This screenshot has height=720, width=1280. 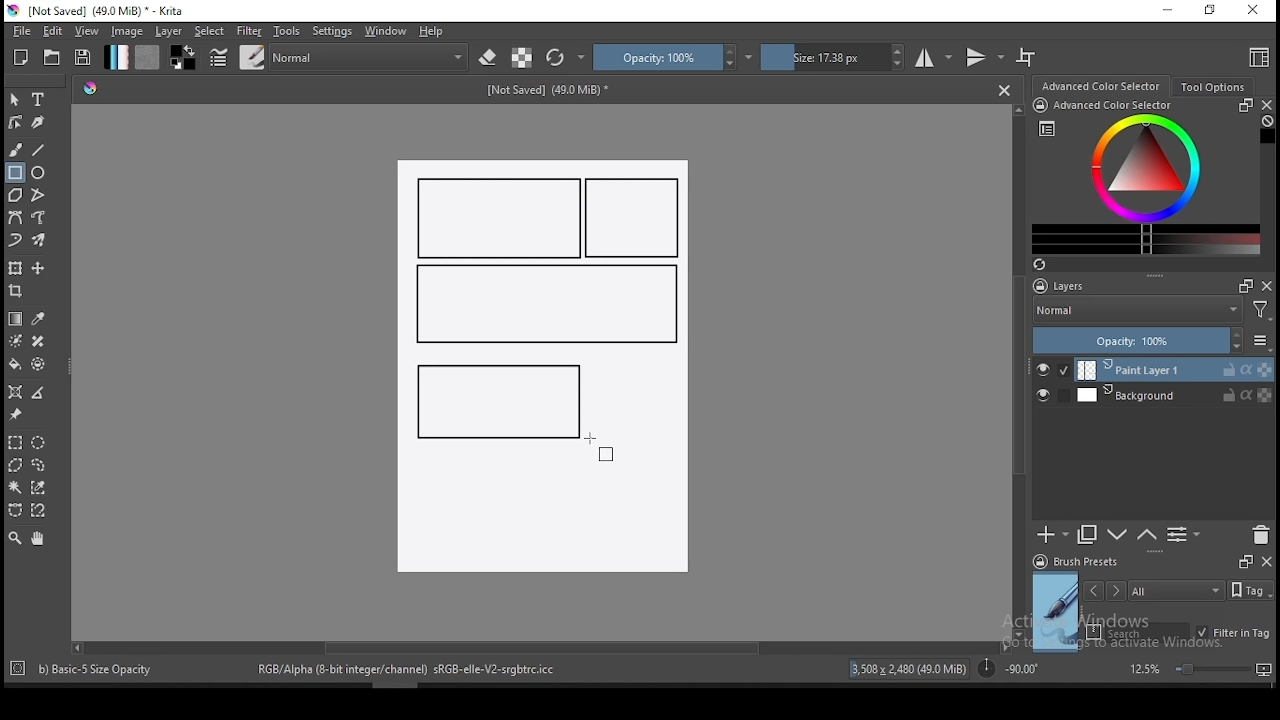 What do you see at coordinates (39, 465) in the screenshot?
I see `freehand selection tool` at bounding box center [39, 465].